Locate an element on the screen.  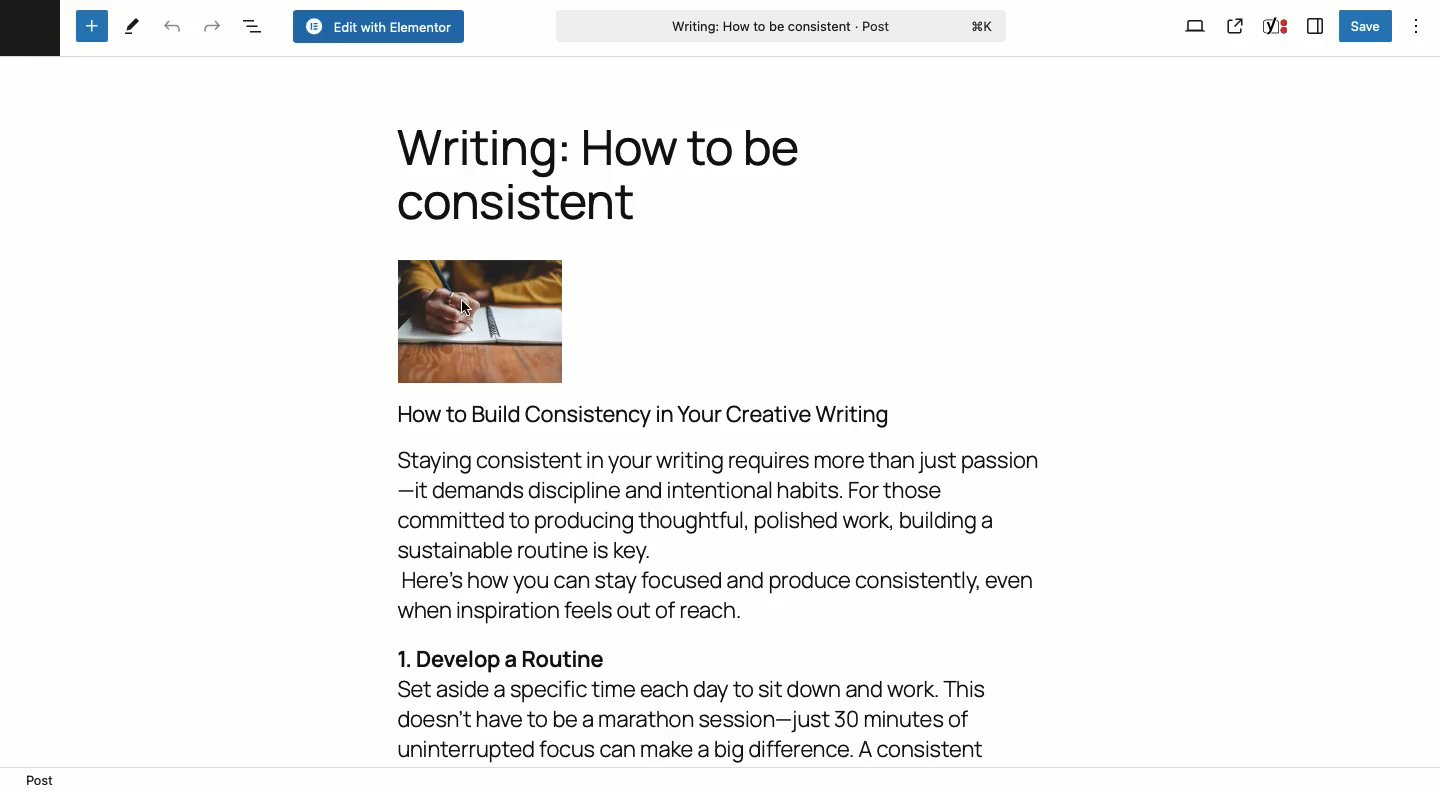
Save is located at coordinates (1367, 27).